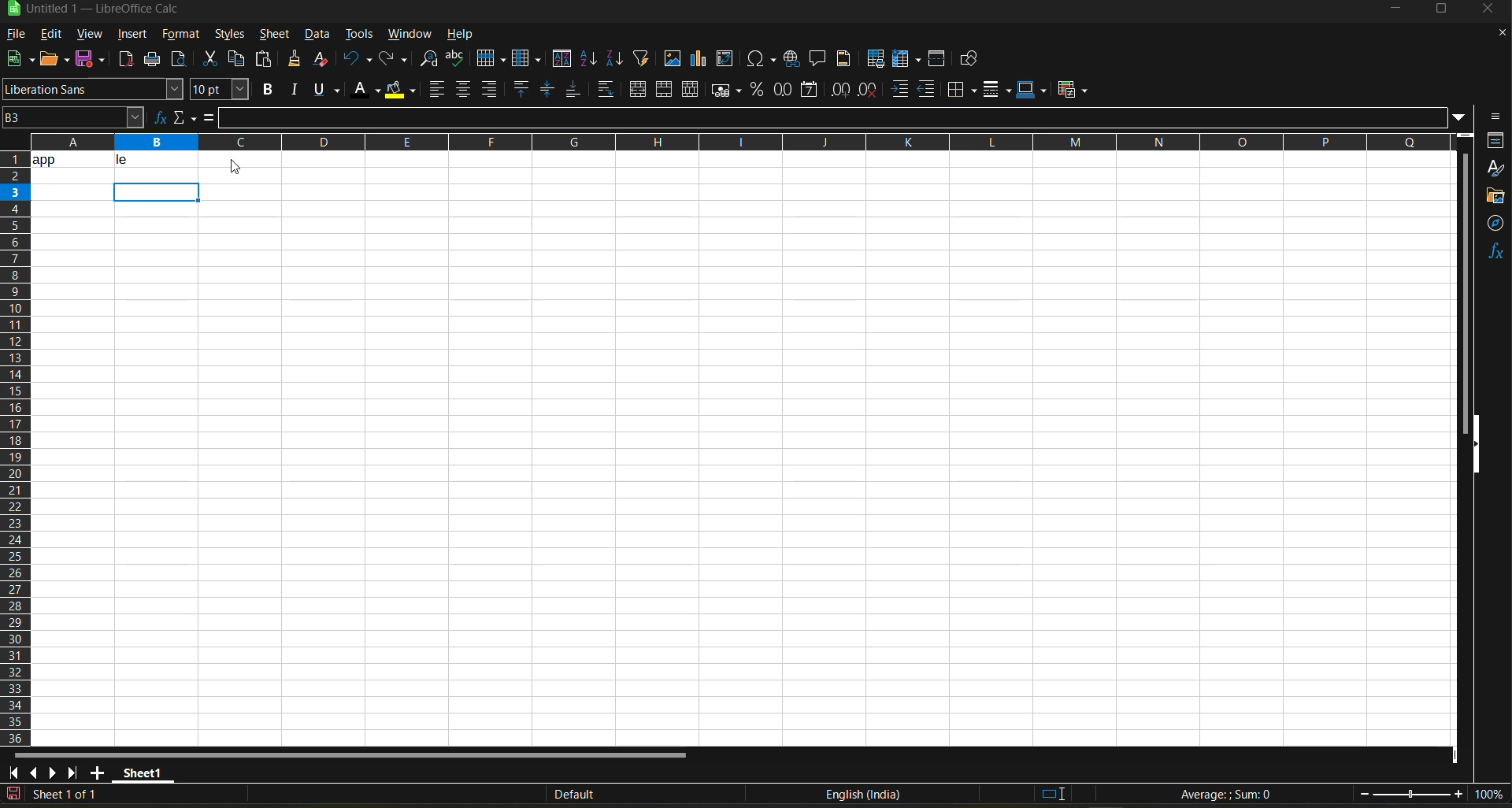 The image size is (1512, 808). What do you see at coordinates (399, 91) in the screenshot?
I see `background color` at bounding box center [399, 91].